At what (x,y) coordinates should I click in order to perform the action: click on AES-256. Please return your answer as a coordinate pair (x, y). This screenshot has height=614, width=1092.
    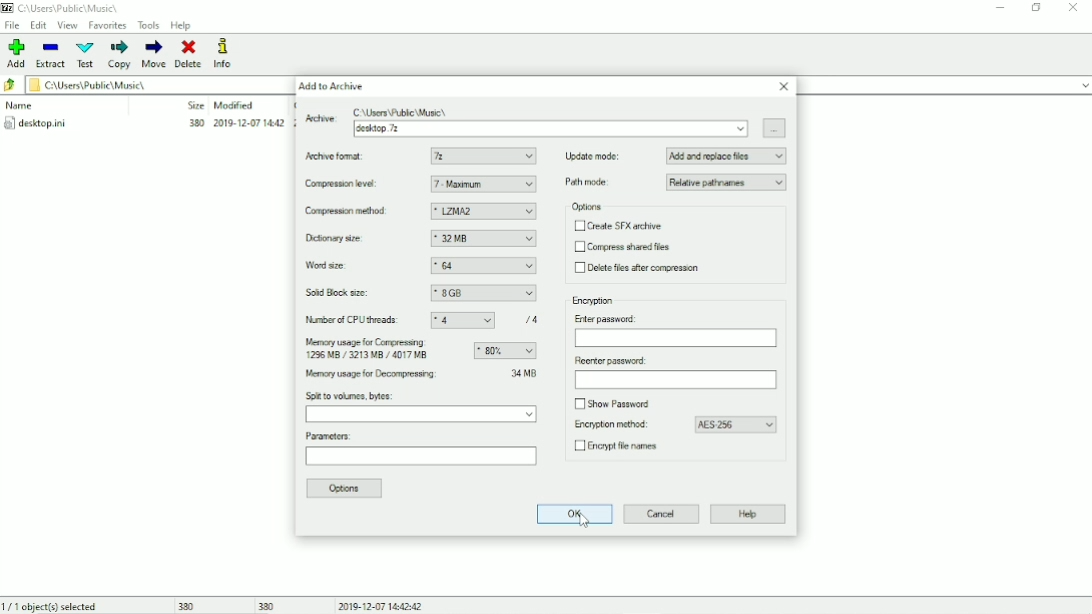
    Looking at the image, I should click on (736, 425).